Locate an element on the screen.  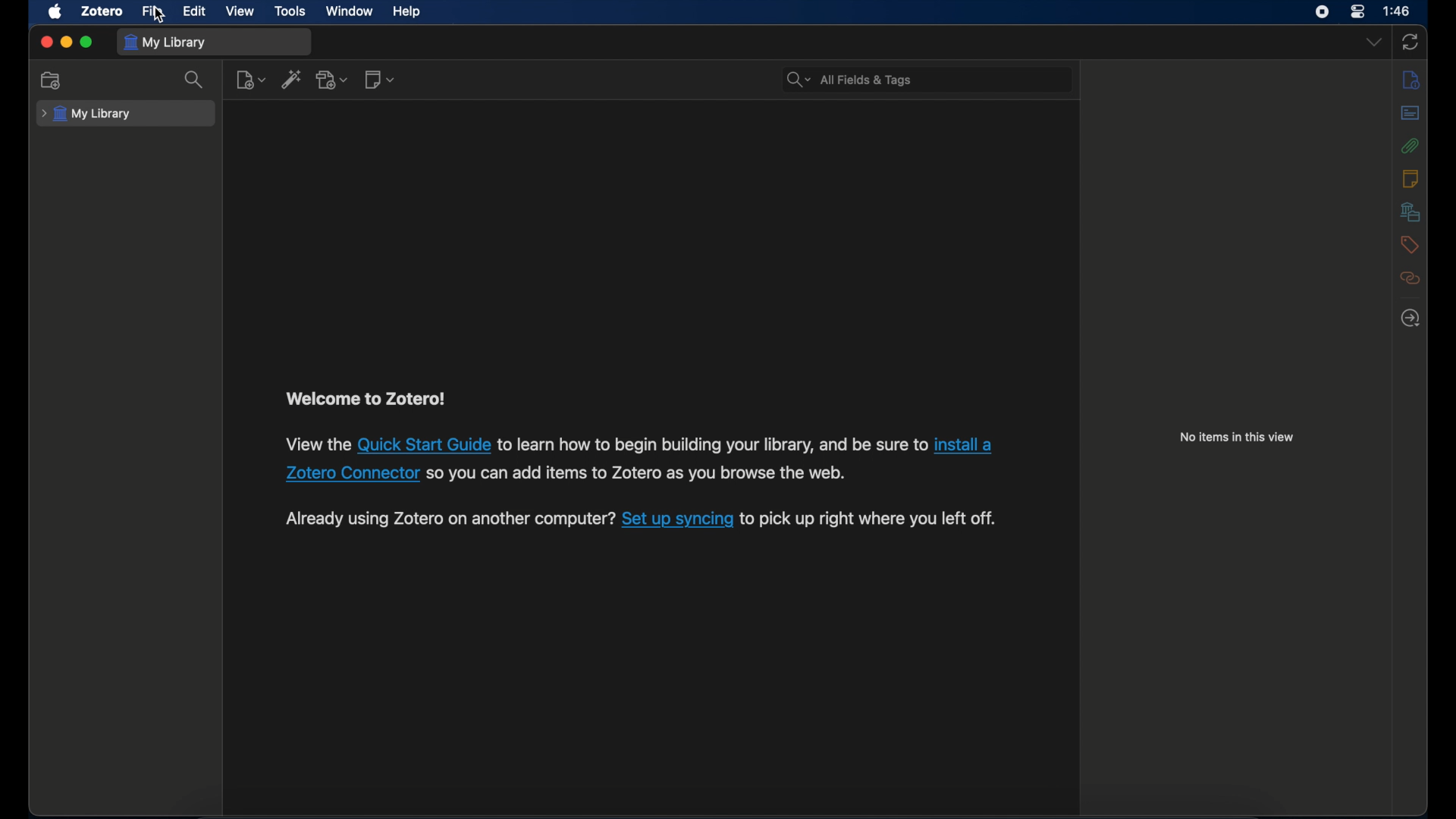
1:46 is located at coordinates (1398, 11).